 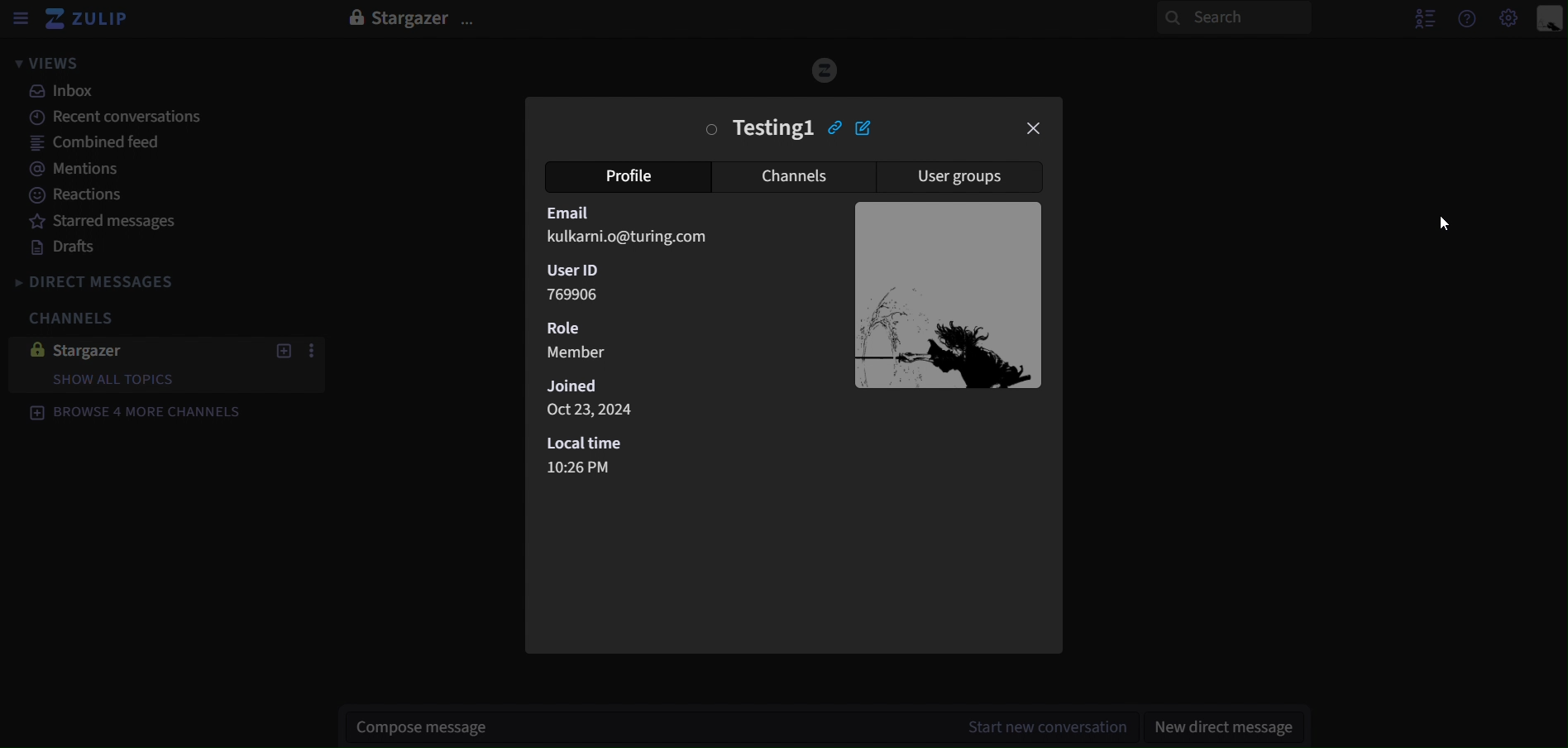 What do you see at coordinates (1238, 21) in the screenshot?
I see `search` at bounding box center [1238, 21].